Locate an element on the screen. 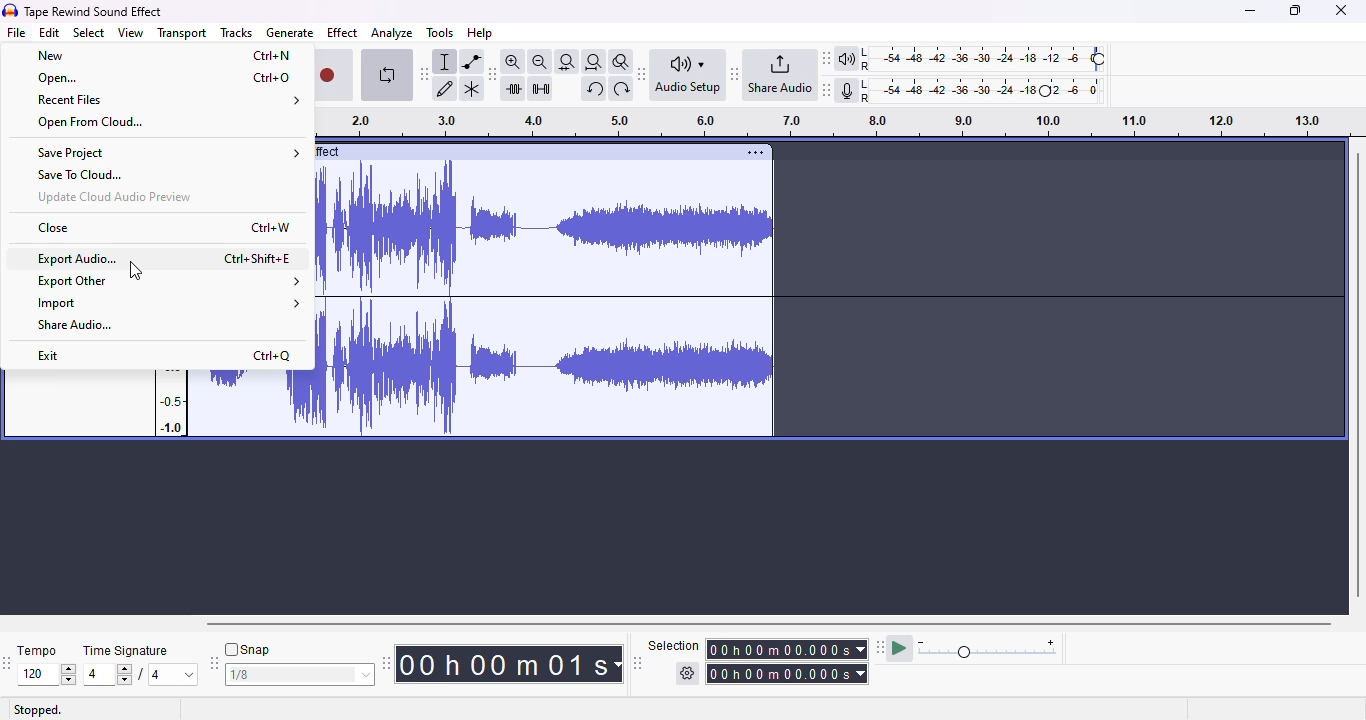  view is located at coordinates (131, 32).